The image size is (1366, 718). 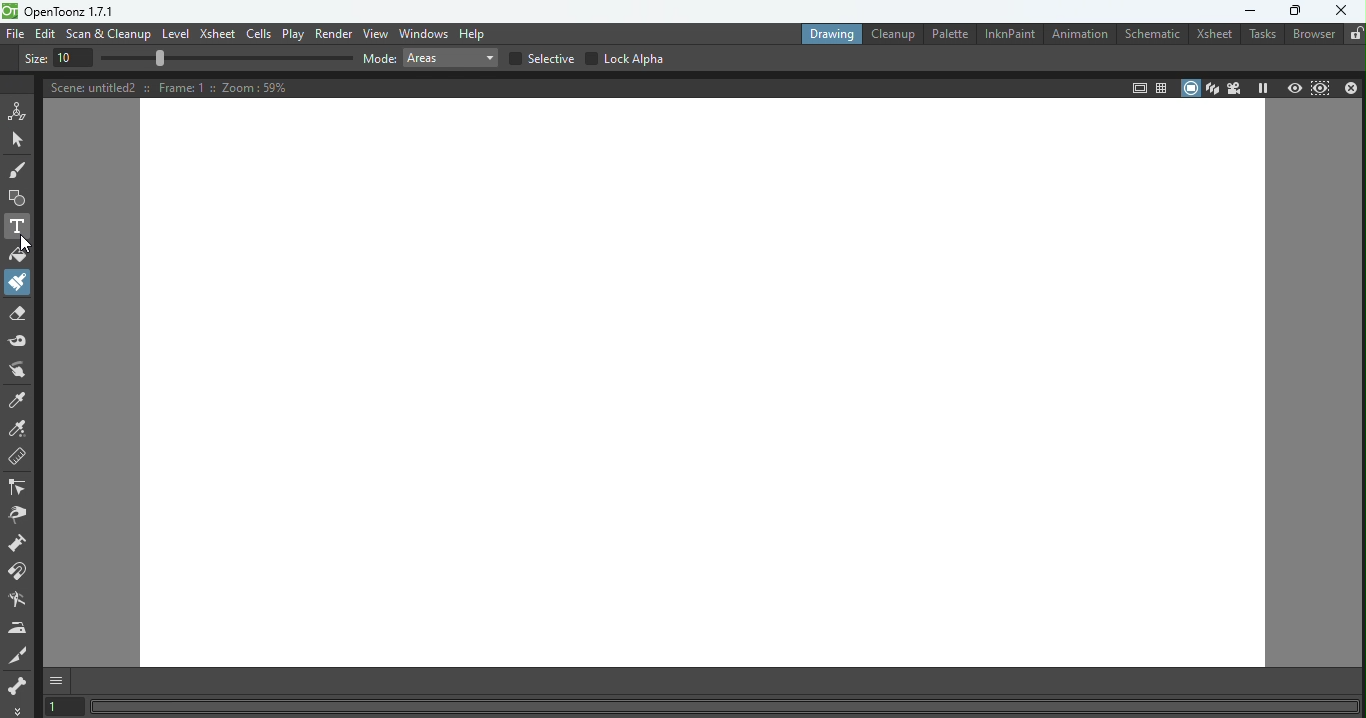 What do you see at coordinates (1236, 87) in the screenshot?
I see `Camera view` at bounding box center [1236, 87].